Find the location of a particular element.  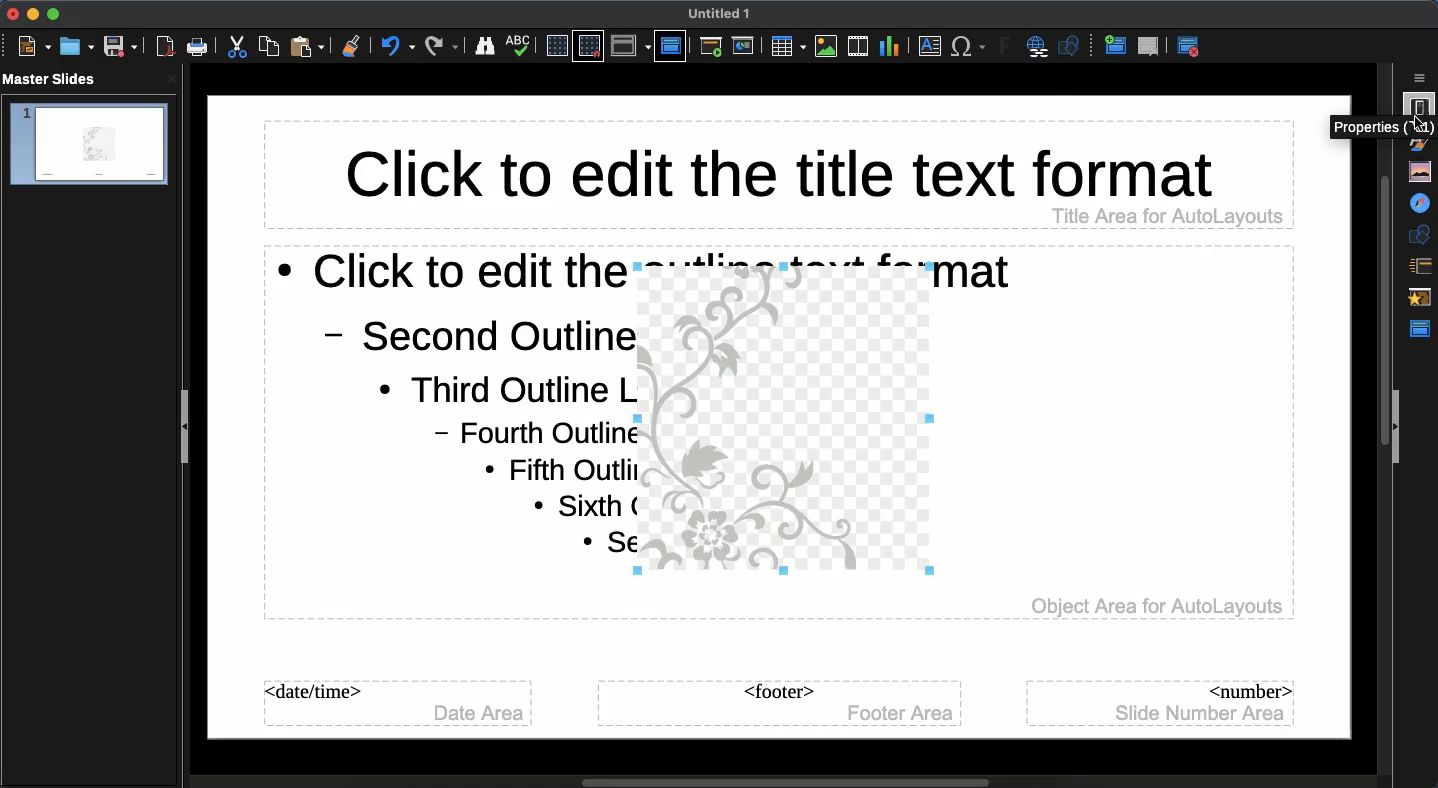

slide 1 is located at coordinates (88, 145).